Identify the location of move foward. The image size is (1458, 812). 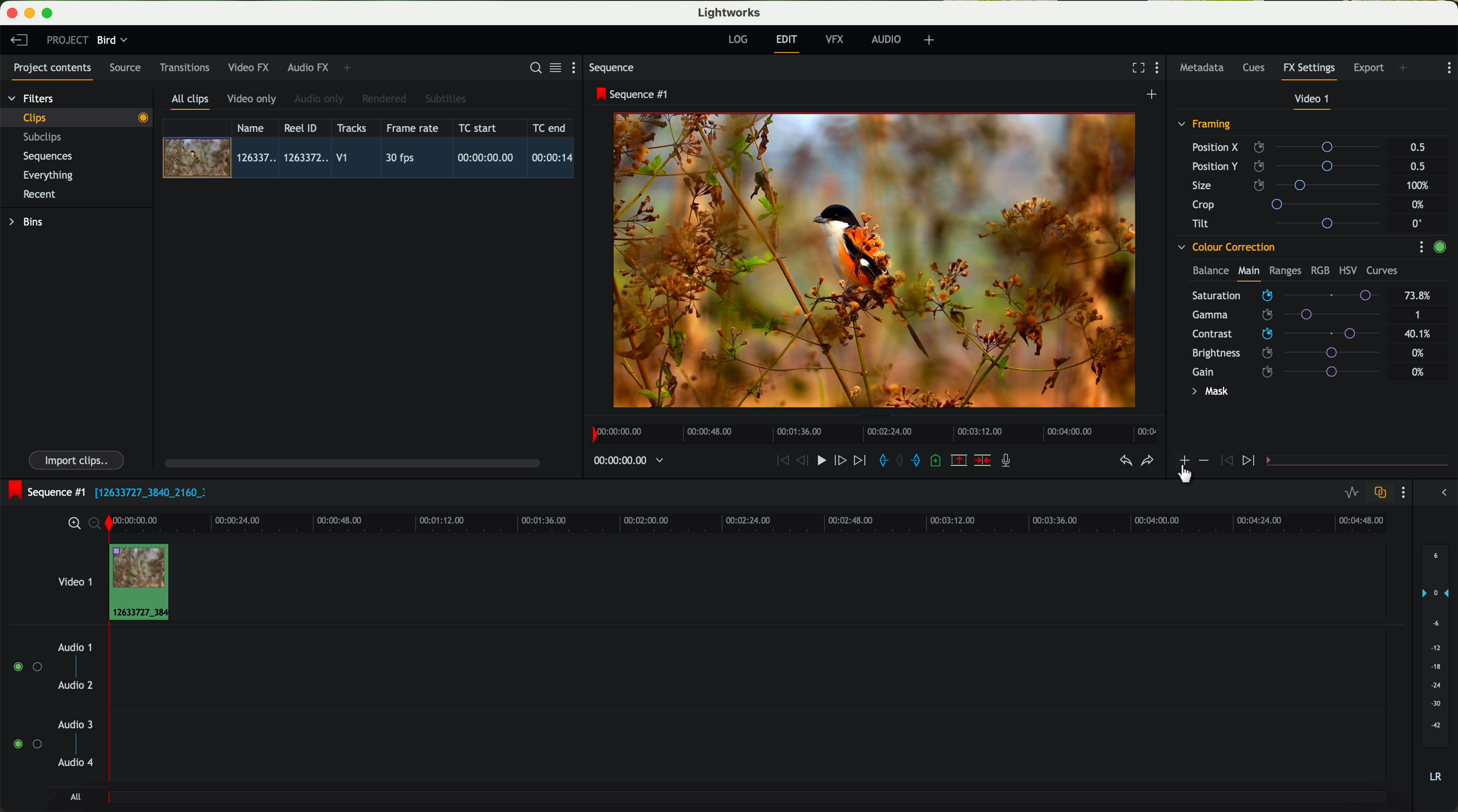
(859, 461).